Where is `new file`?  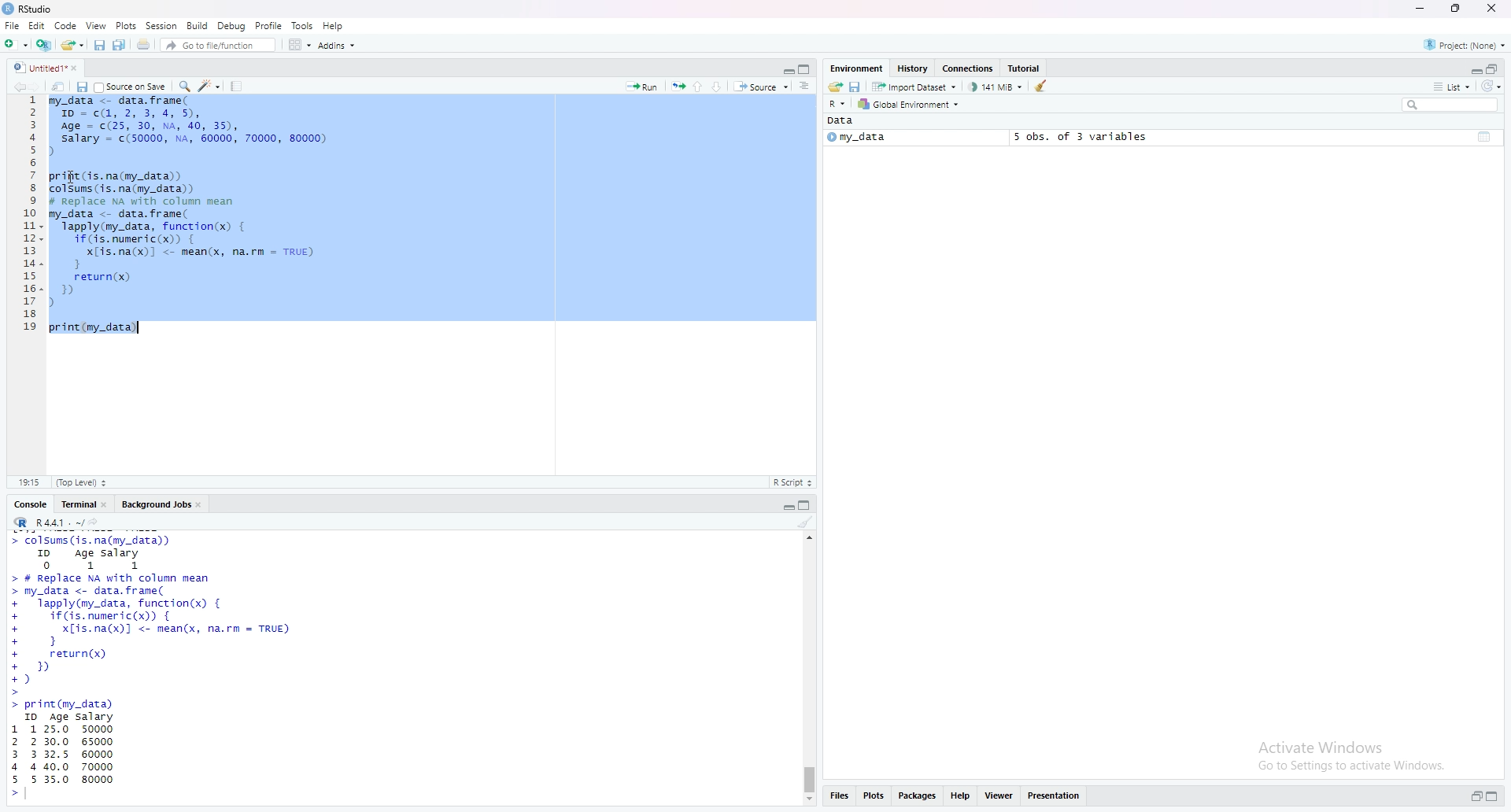
new file is located at coordinates (17, 45).